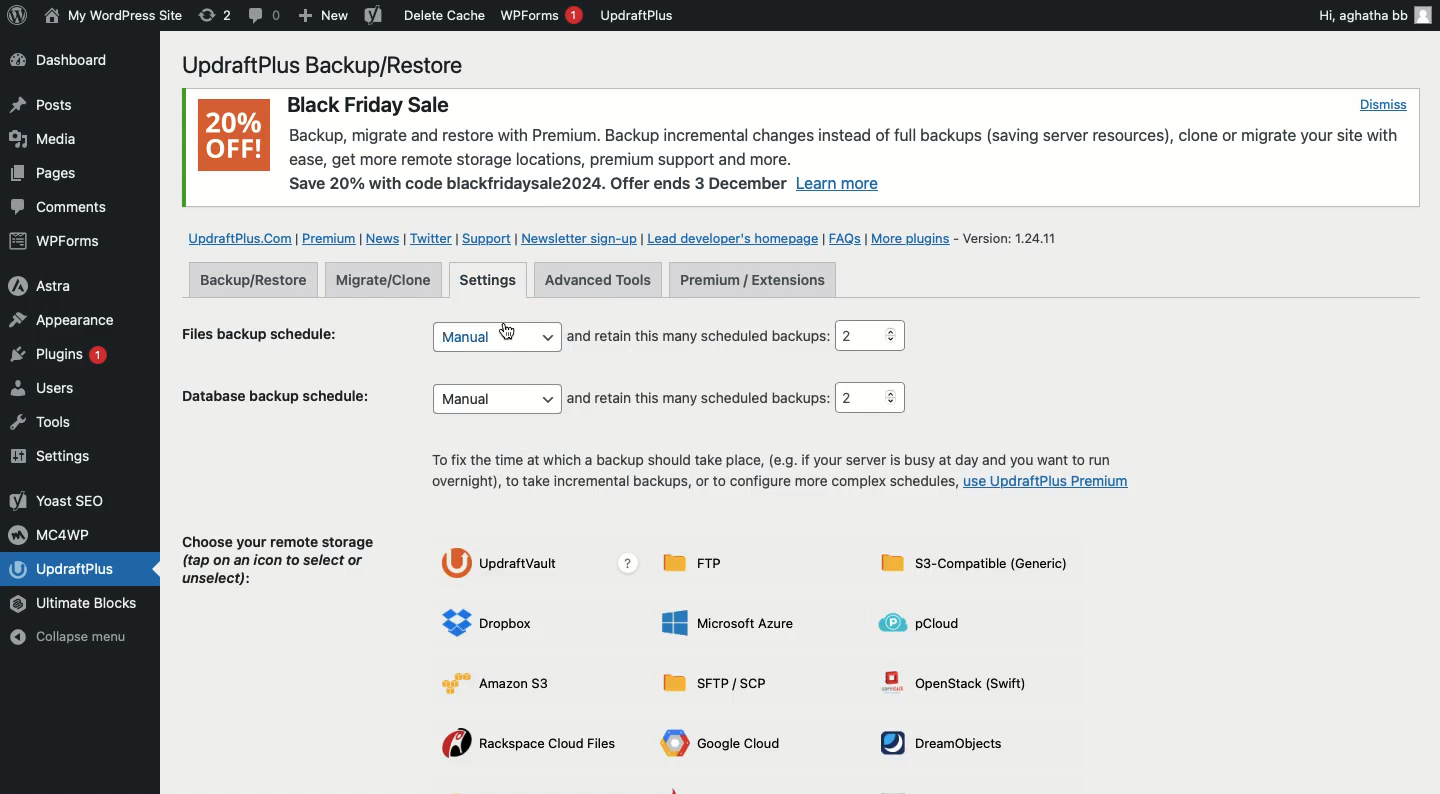 This screenshot has height=794, width=1440. What do you see at coordinates (576, 238) in the screenshot?
I see `Newsletter sign up` at bounding box center [576, 238].